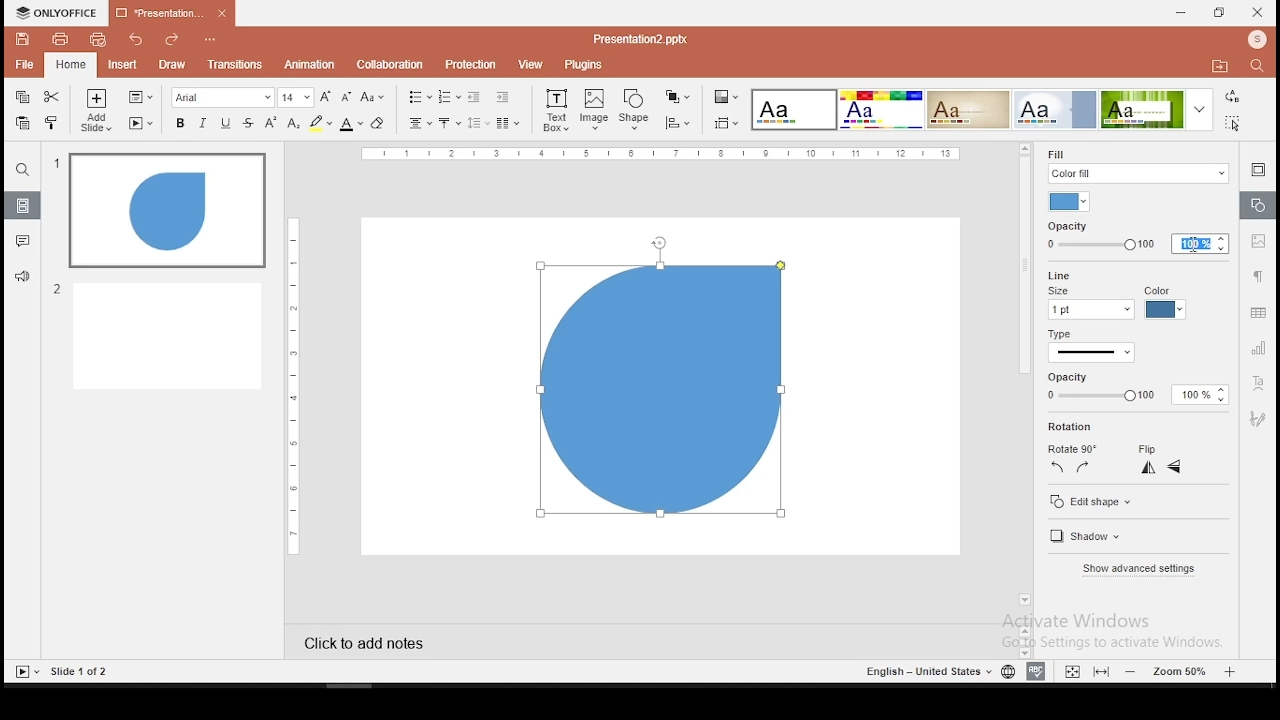  Describe the element at coordinates (311, 64) in the screenshot. I see `animation` at that location.